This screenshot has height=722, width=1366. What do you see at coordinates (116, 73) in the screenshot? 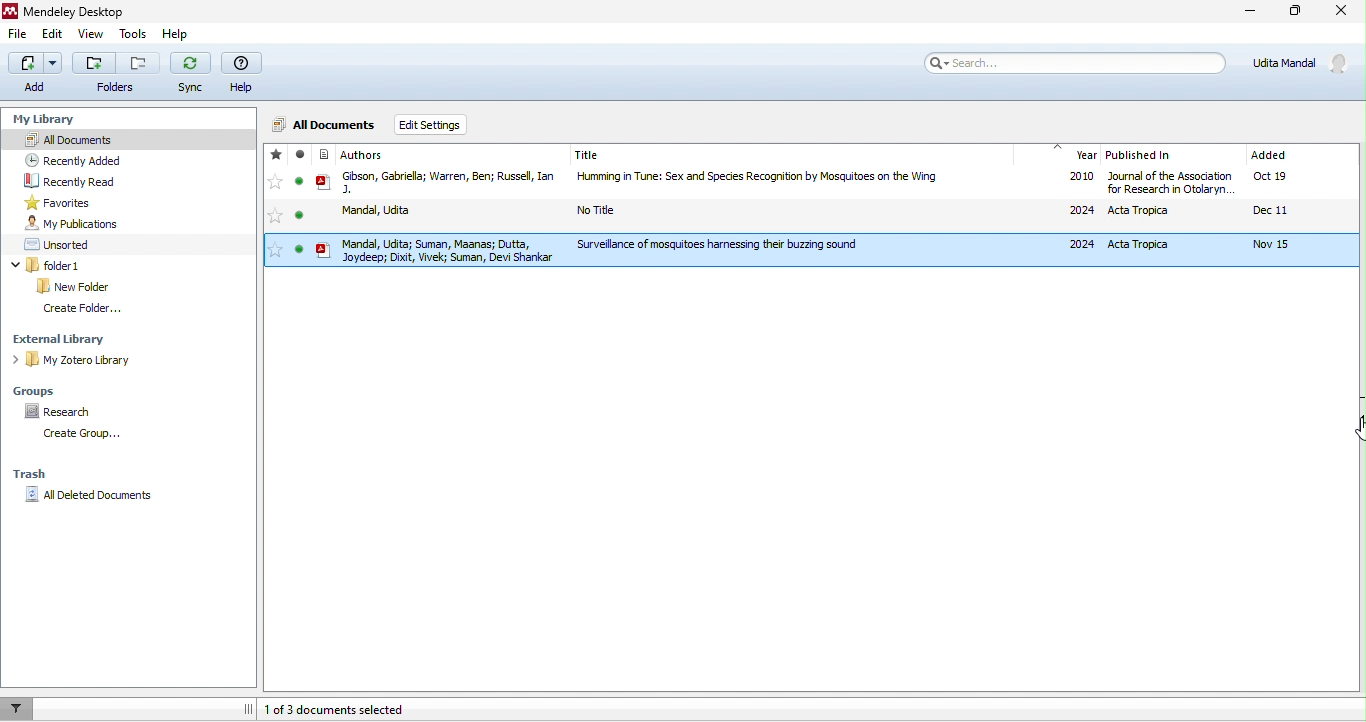
I see `folders` at bounding box center [116, 73].